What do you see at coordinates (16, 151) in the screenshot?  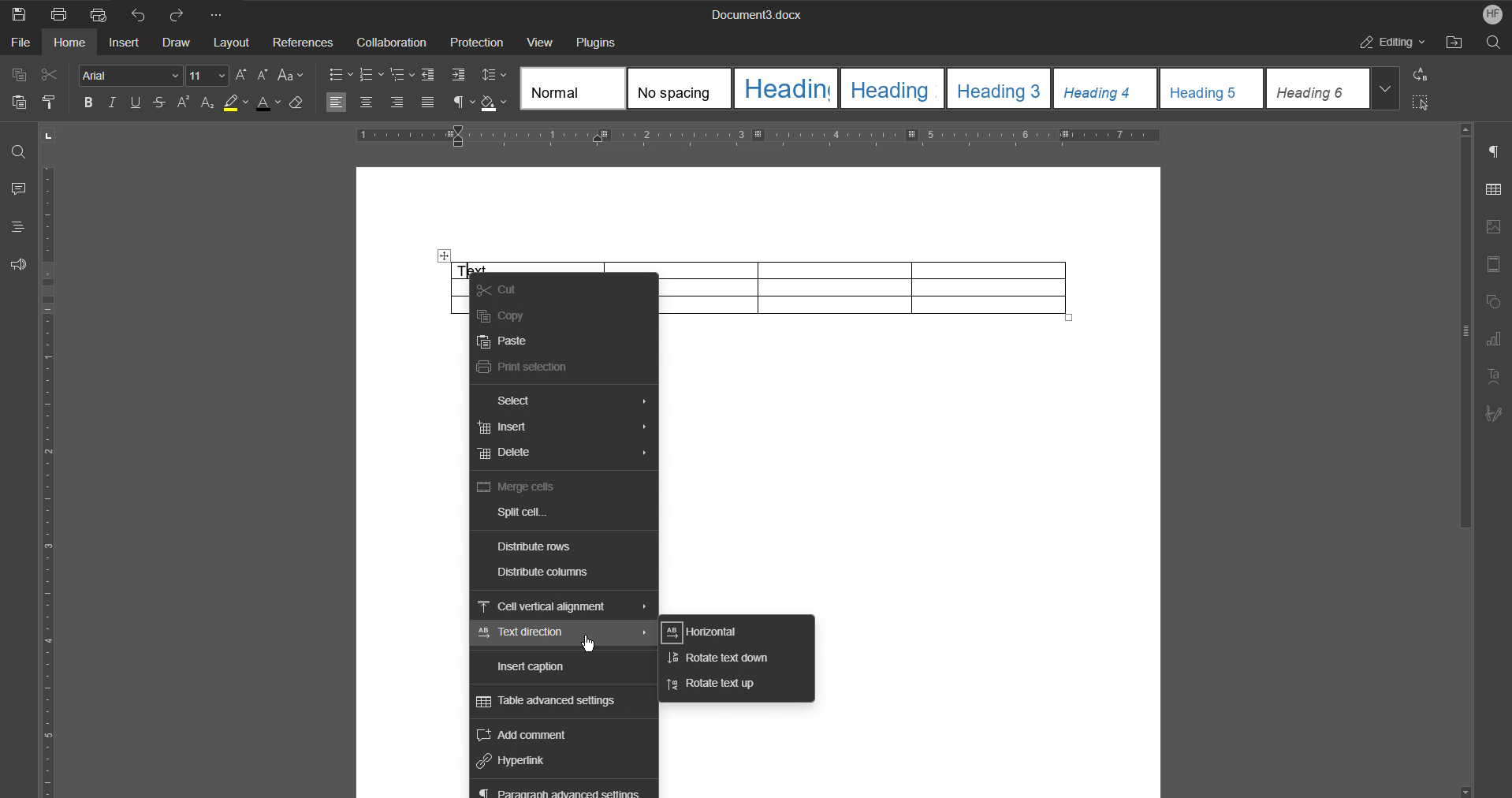 I see `Find` at bounding box center [16, 151].